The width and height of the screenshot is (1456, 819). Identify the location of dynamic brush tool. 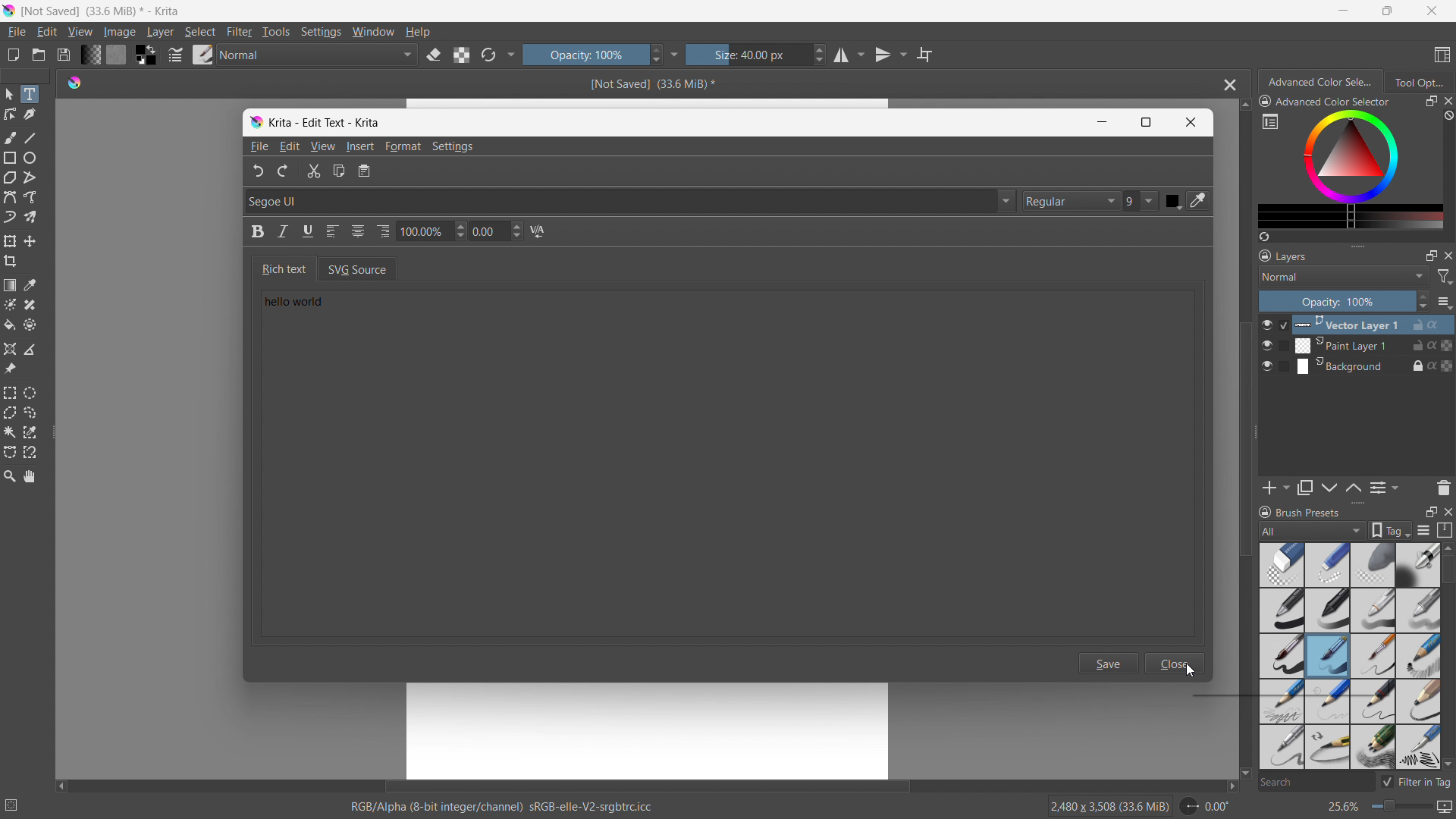
(10, 218).